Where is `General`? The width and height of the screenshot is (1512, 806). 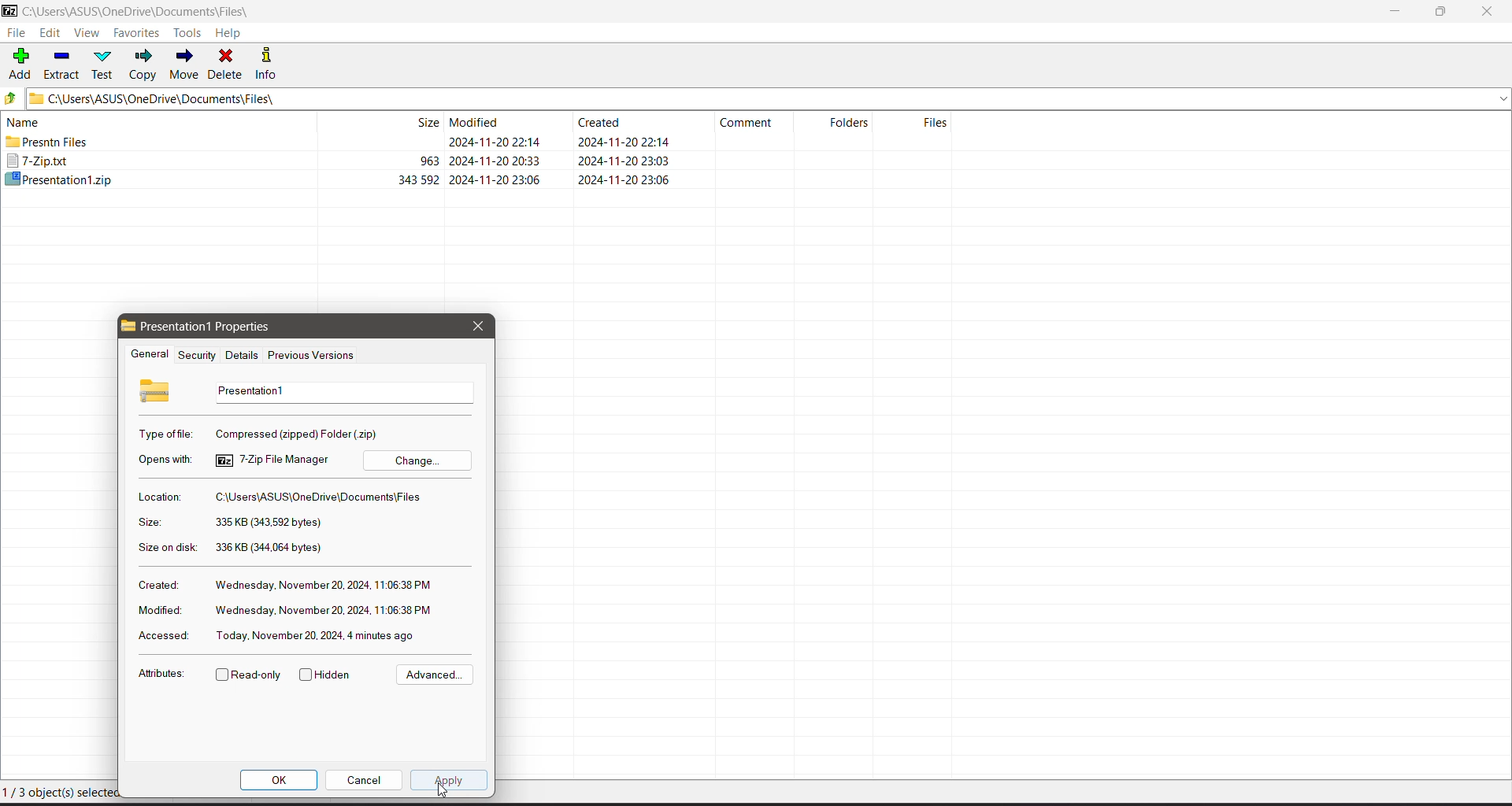 General is located at coordinates (147, 355).